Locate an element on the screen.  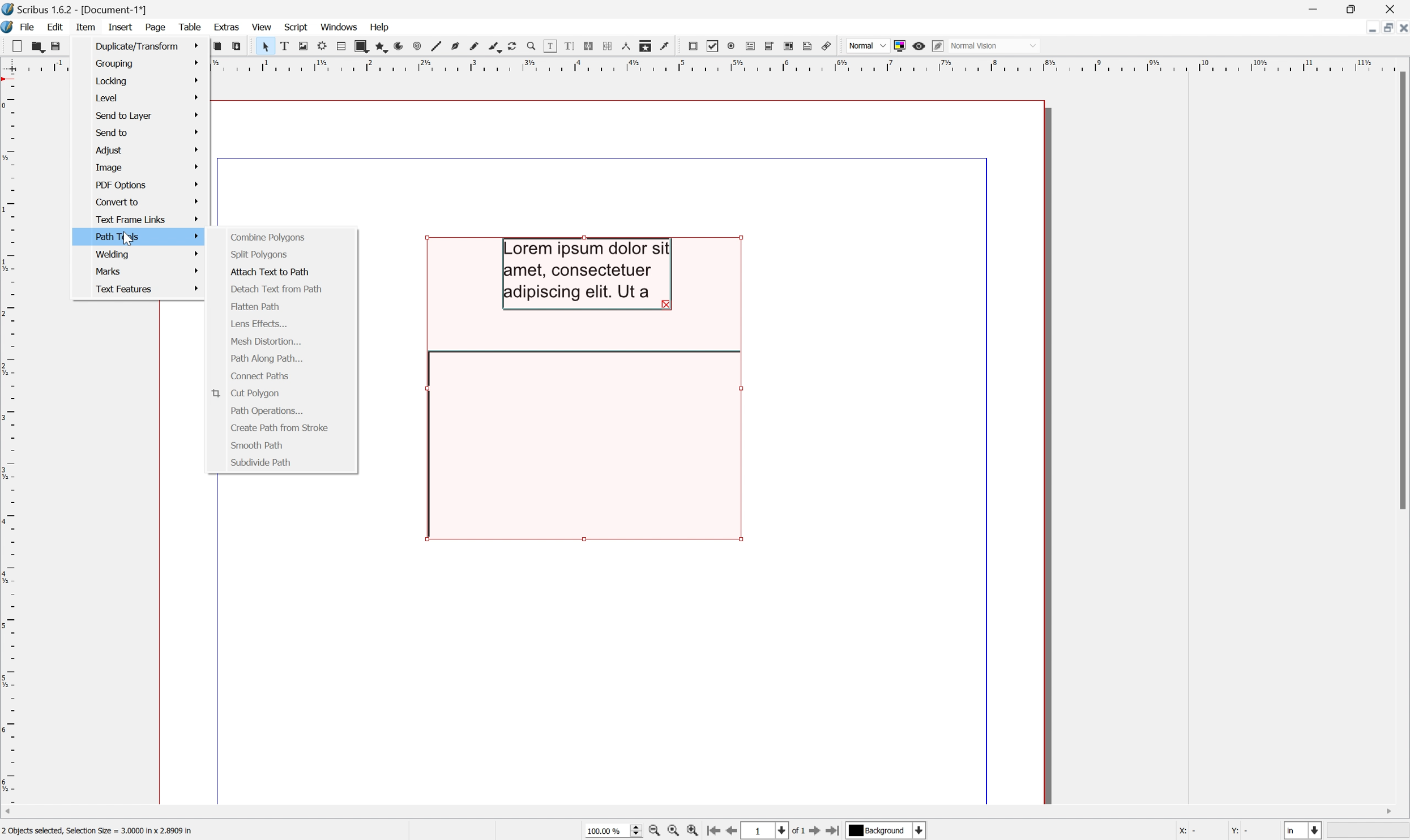
Extras is located at coordinates (227, 28).